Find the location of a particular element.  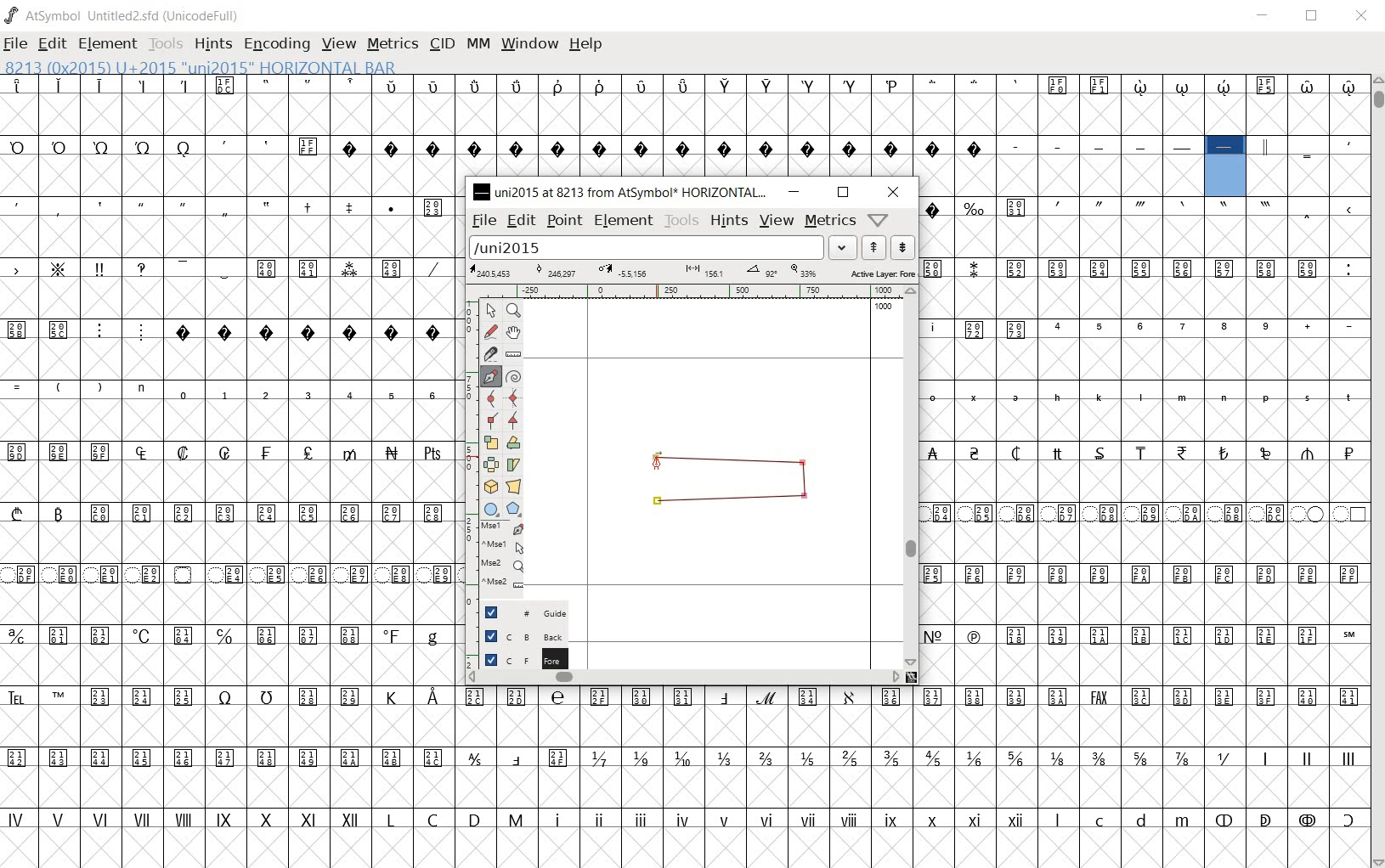

HINTS is located at coordinates (215, 44).